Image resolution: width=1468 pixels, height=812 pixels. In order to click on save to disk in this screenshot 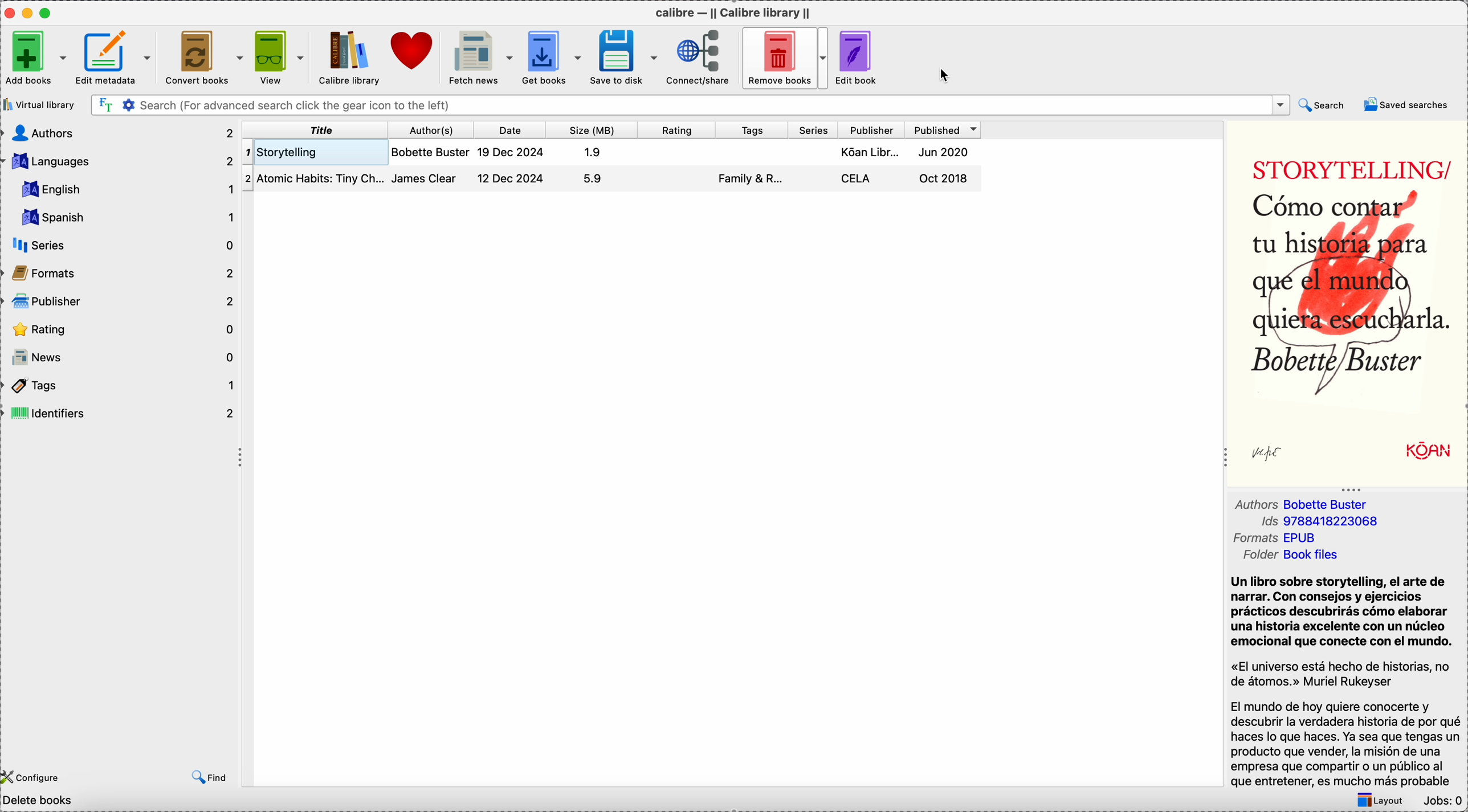, I will do `click(625, 56)`.